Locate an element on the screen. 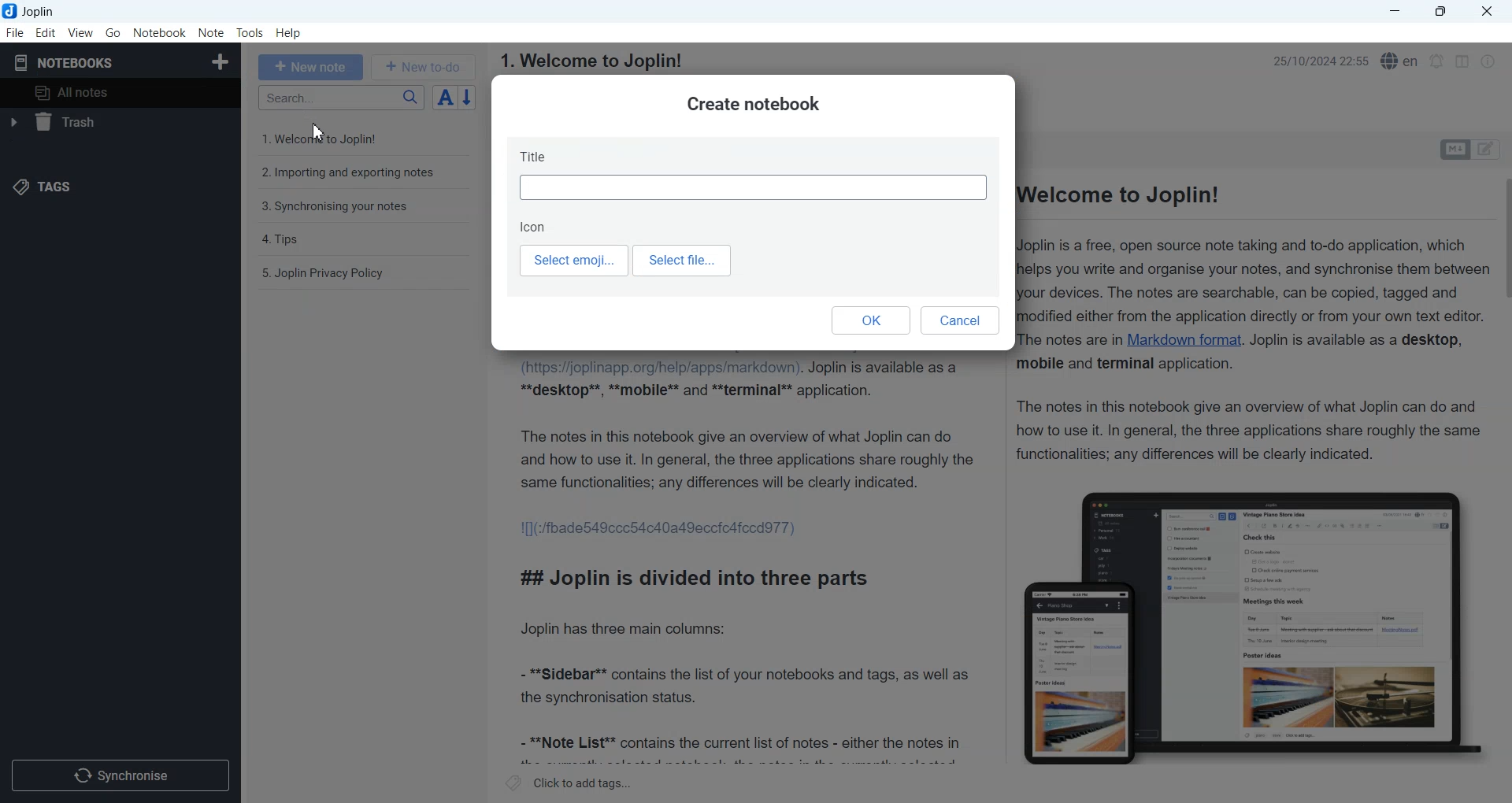 The image size is (1512, 803). Cancel is located at coordinates (962, 321).